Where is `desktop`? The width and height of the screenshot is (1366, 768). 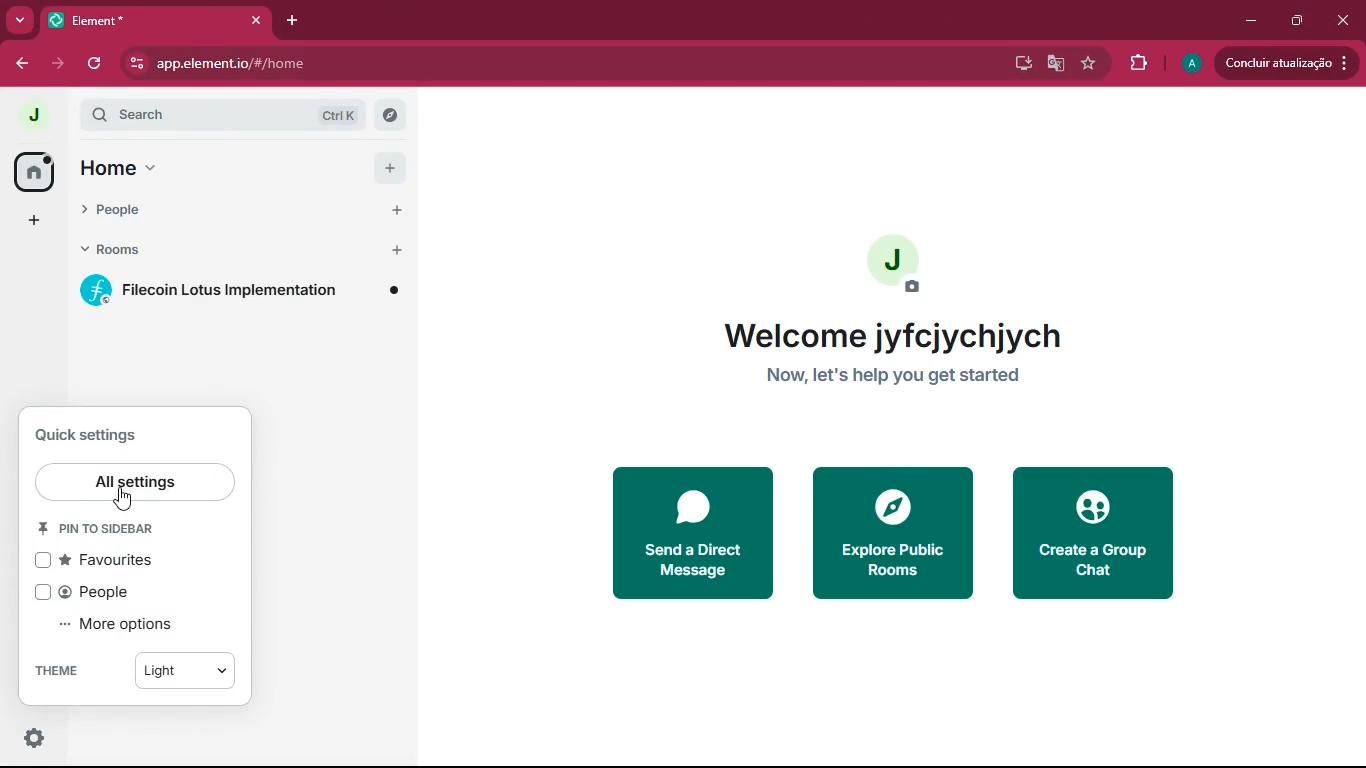 desktop is located at coordinates (1020, 64).